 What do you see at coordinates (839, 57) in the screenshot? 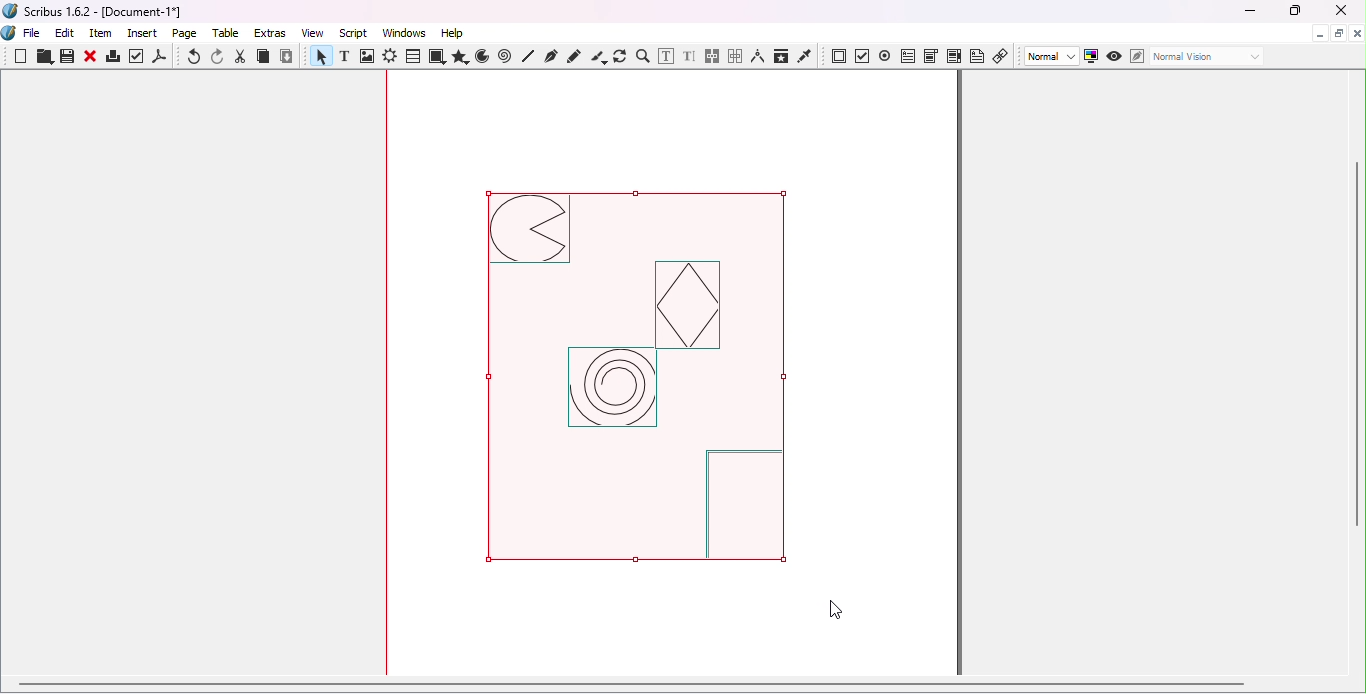
I see `PDF push button` at bounding box center [839, 57].